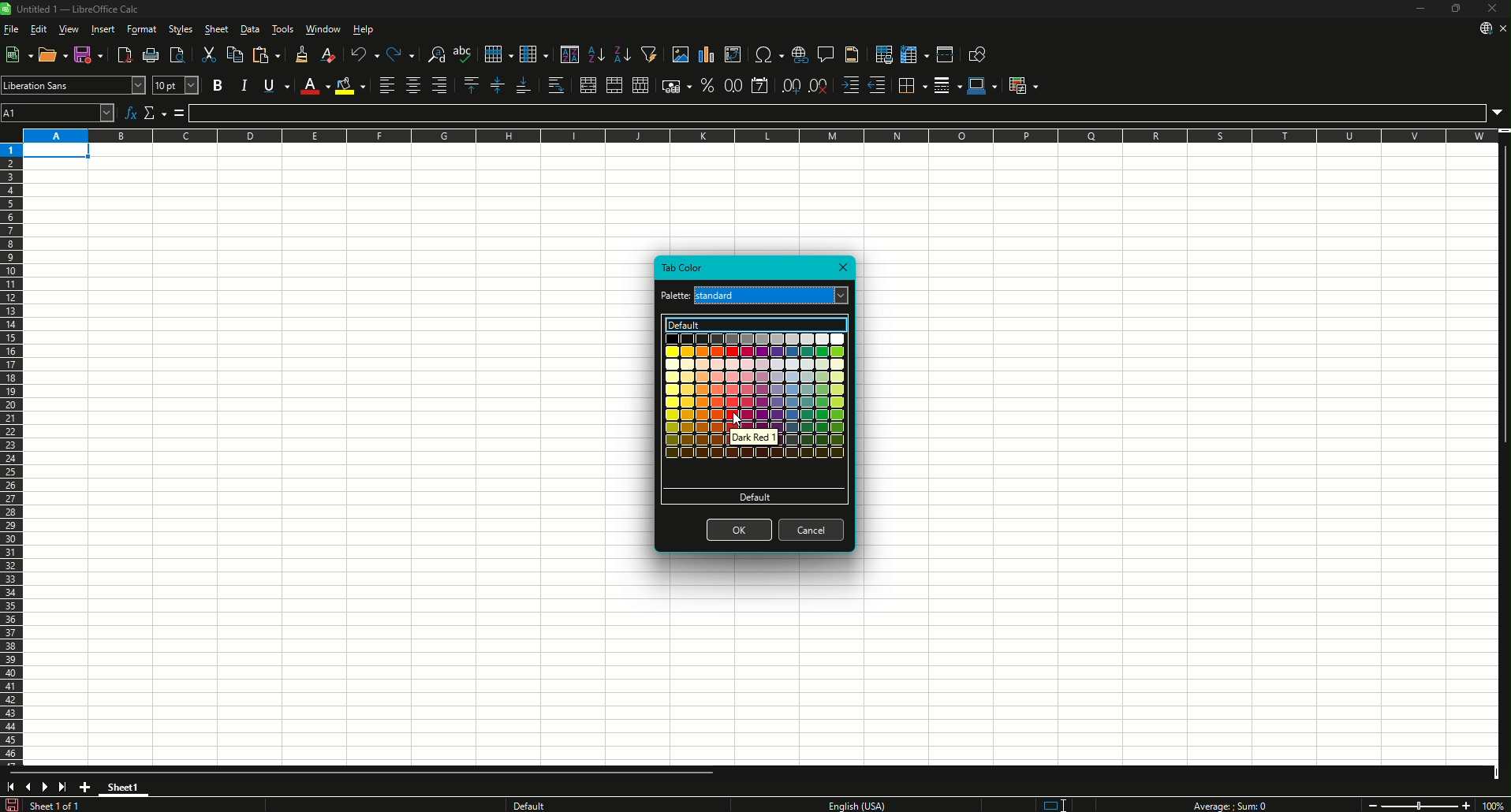 This screenshot has width=1511, height=812. What do you see at coordinates (614, 85) in the screenshot?
I see `Merge Cells` at bounding box center [614, 85].